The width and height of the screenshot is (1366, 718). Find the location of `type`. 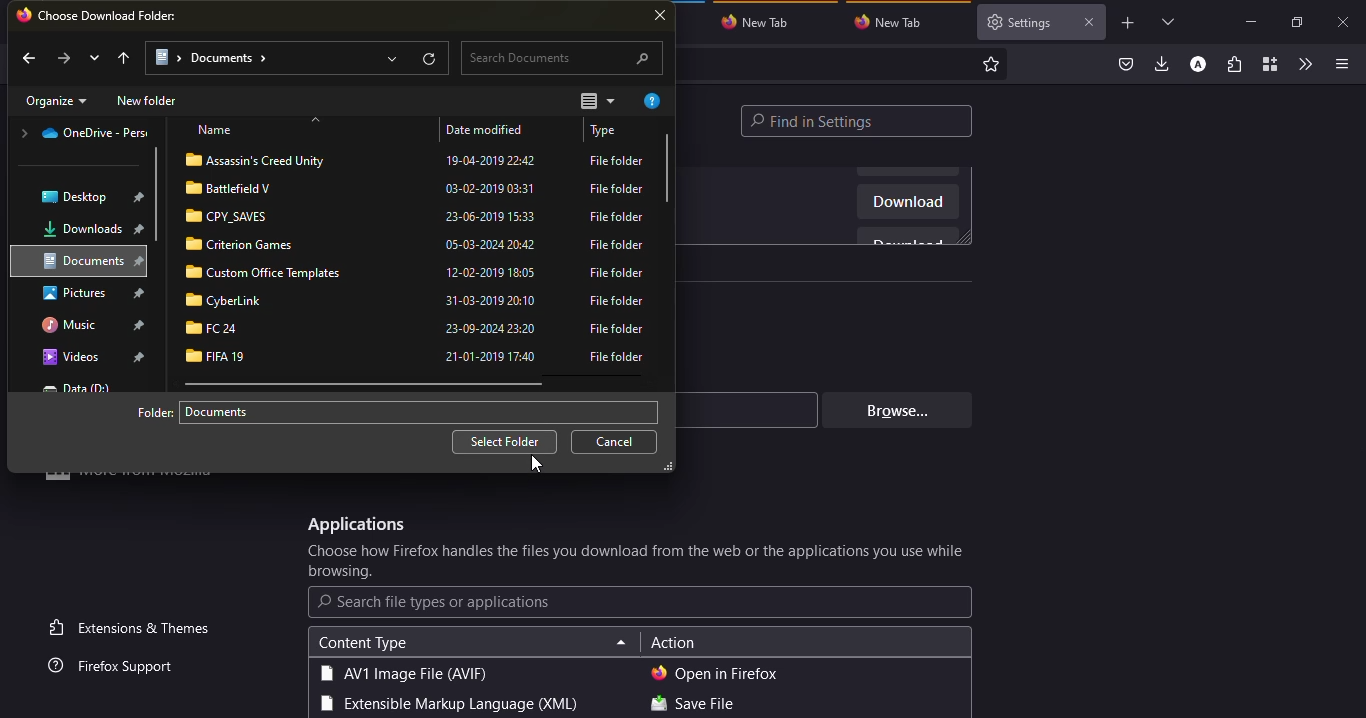

type is located at coordinates (618, 159).